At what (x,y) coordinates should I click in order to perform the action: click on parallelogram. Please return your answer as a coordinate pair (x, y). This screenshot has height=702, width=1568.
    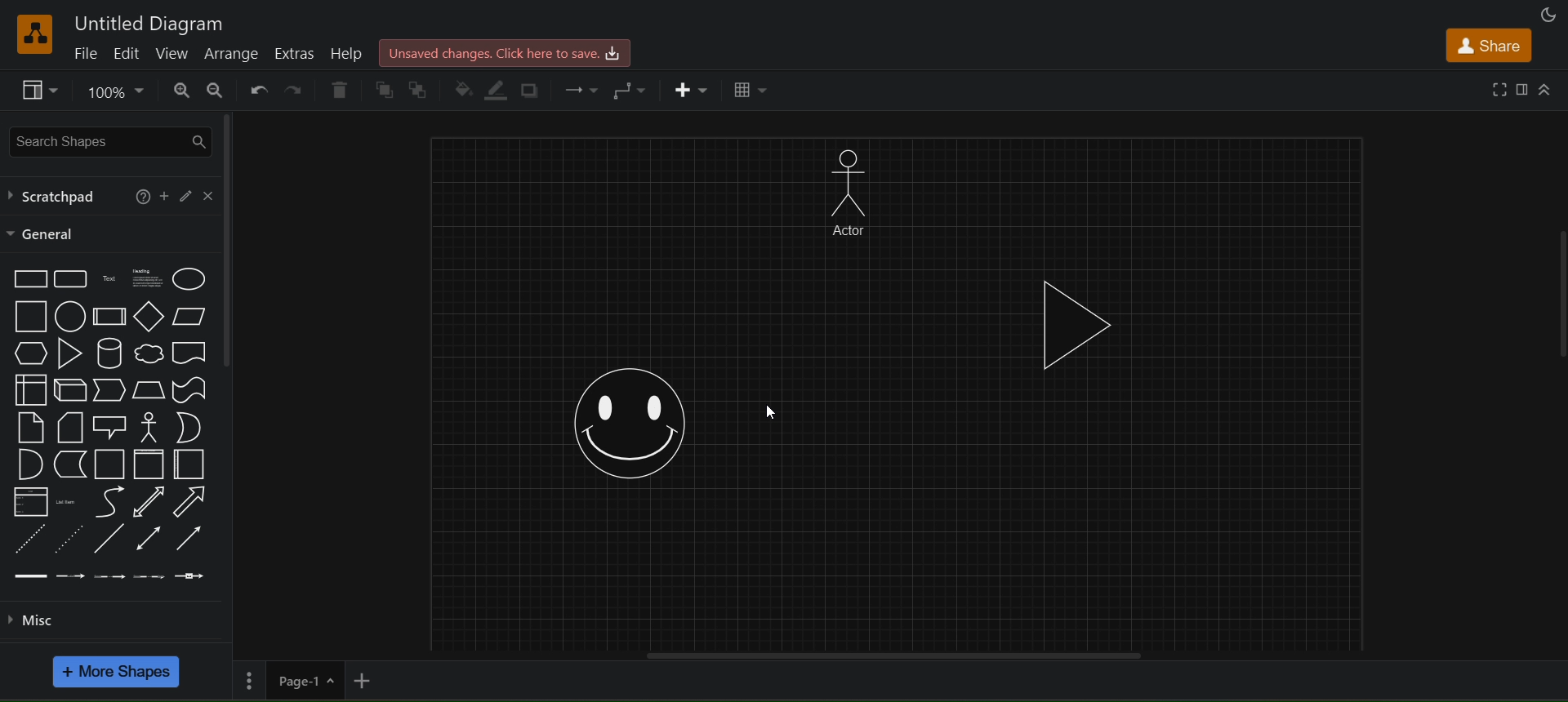
    Looking at the image, I should click on (192, 318).